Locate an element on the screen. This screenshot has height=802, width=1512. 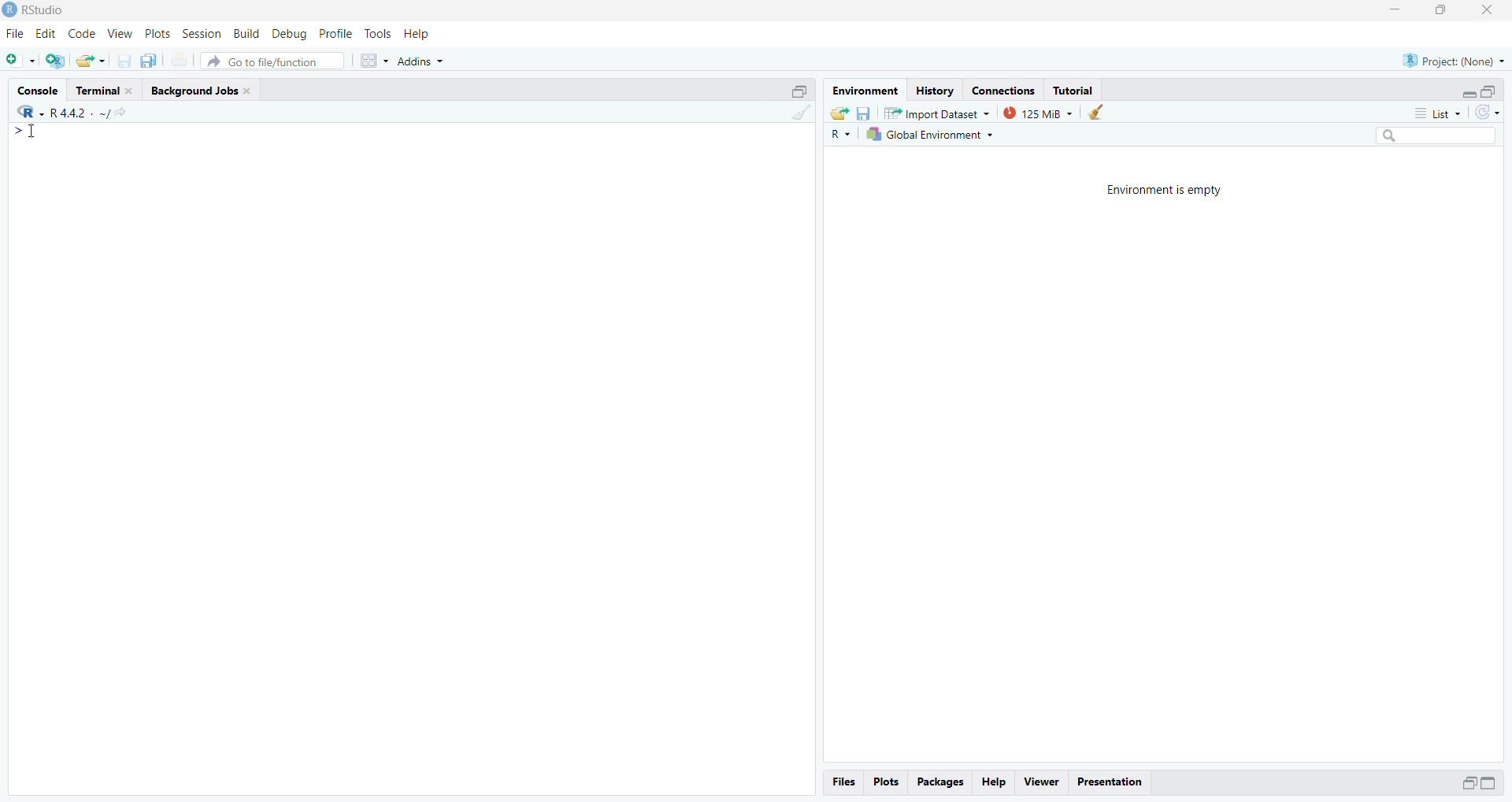
Console is located at coordinates (38, 89).